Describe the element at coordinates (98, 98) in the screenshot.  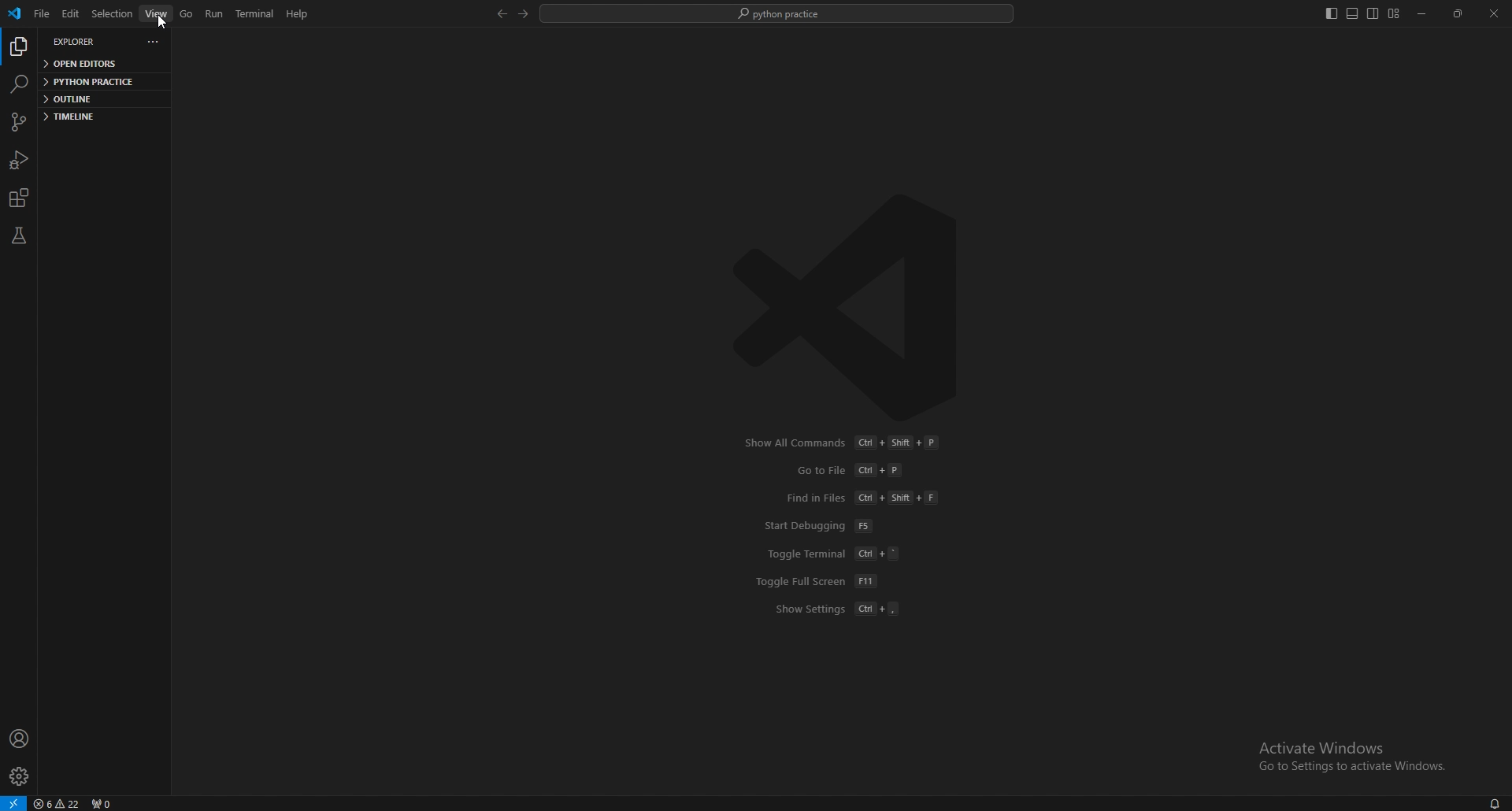
I see `outline` at that location.